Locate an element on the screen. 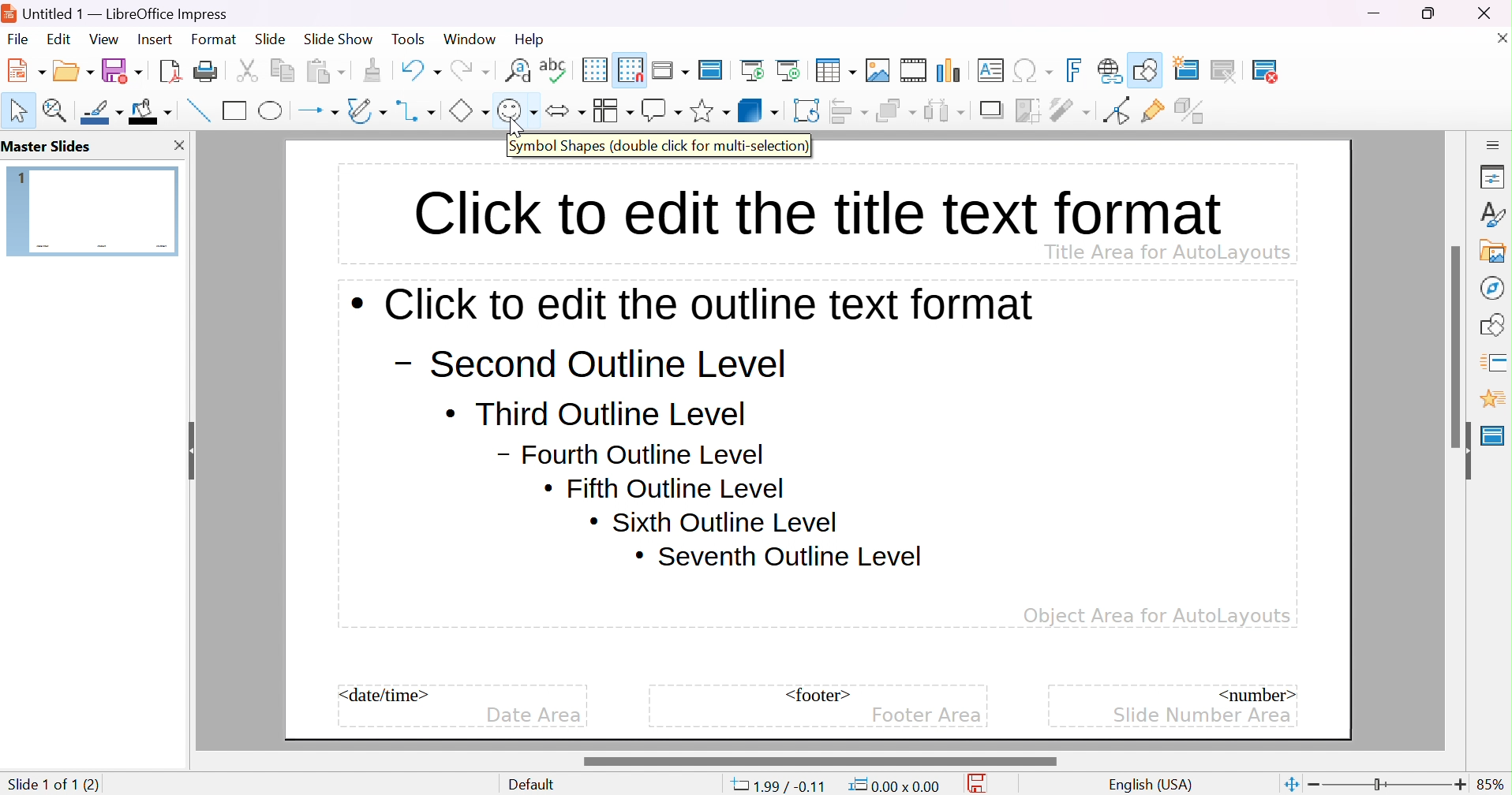  sixth outline level is located at coordinates (665, 489).